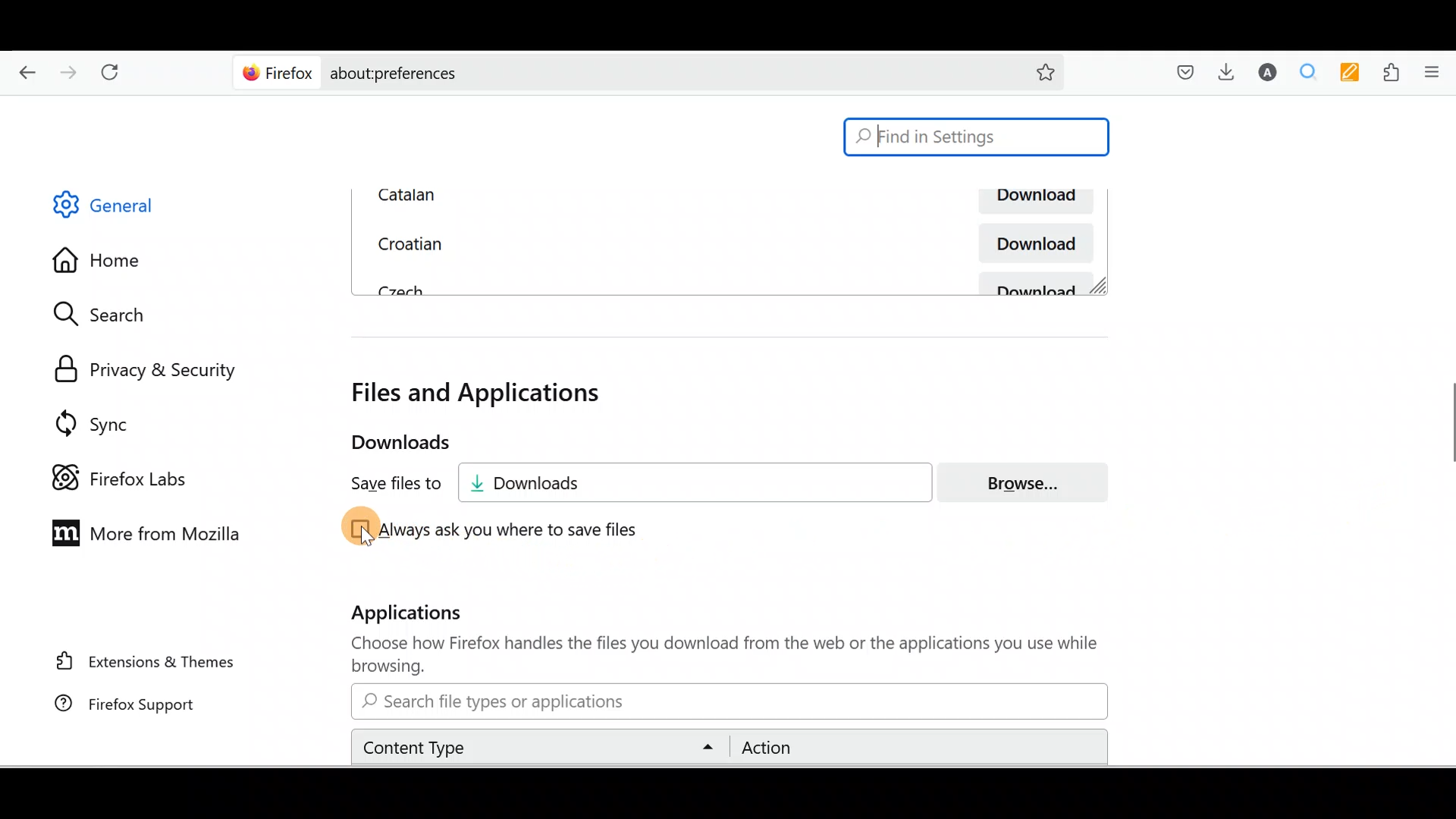 The height and width of the screenshot is (819, 1456). What do you see at coordinates (498, 530) in the screenshot?
I see `Click here to be prompted to ask where to save files` at bounding box center [498, 530].